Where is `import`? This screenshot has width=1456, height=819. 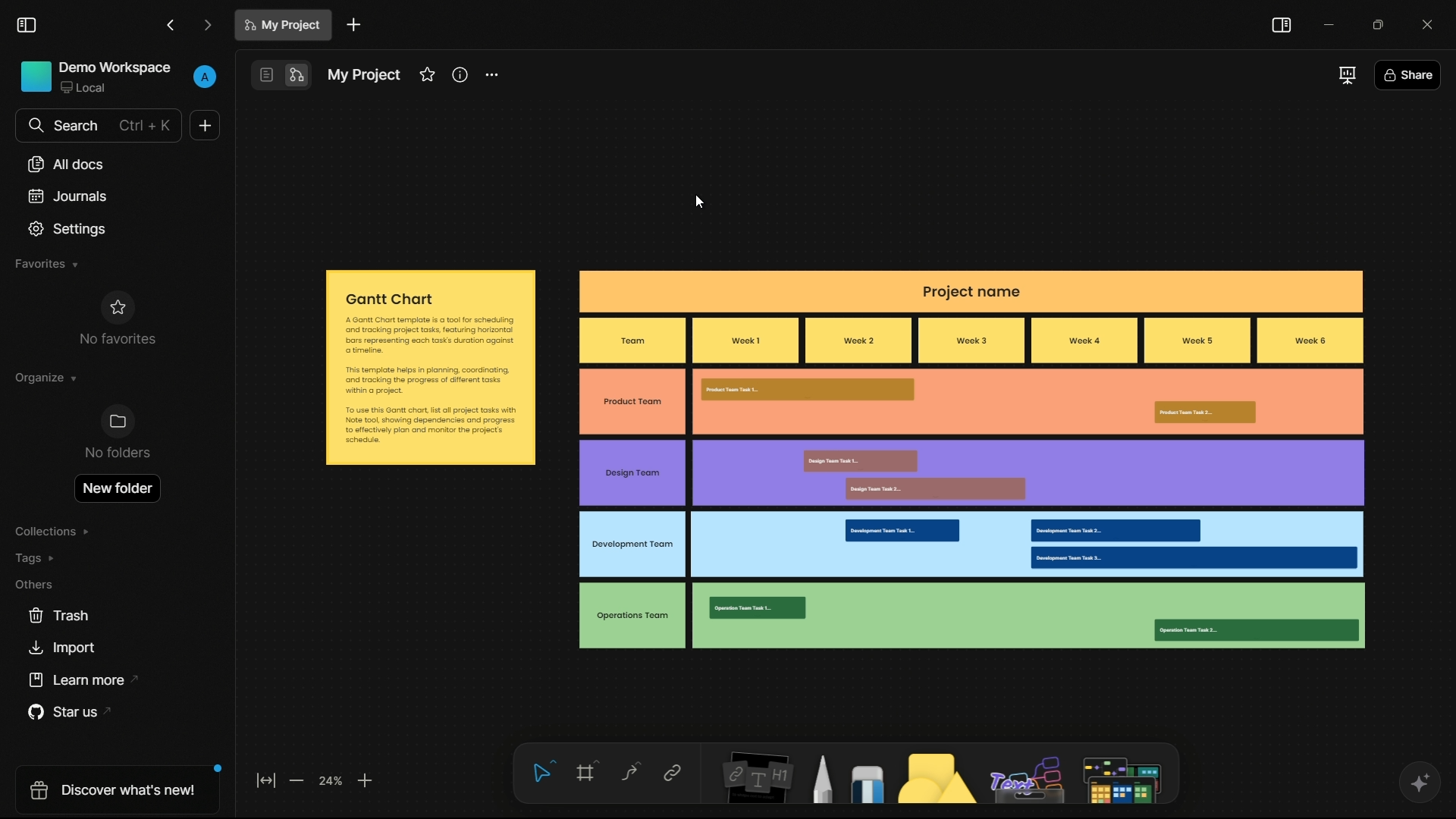
import is located at coordinates (64, 650).